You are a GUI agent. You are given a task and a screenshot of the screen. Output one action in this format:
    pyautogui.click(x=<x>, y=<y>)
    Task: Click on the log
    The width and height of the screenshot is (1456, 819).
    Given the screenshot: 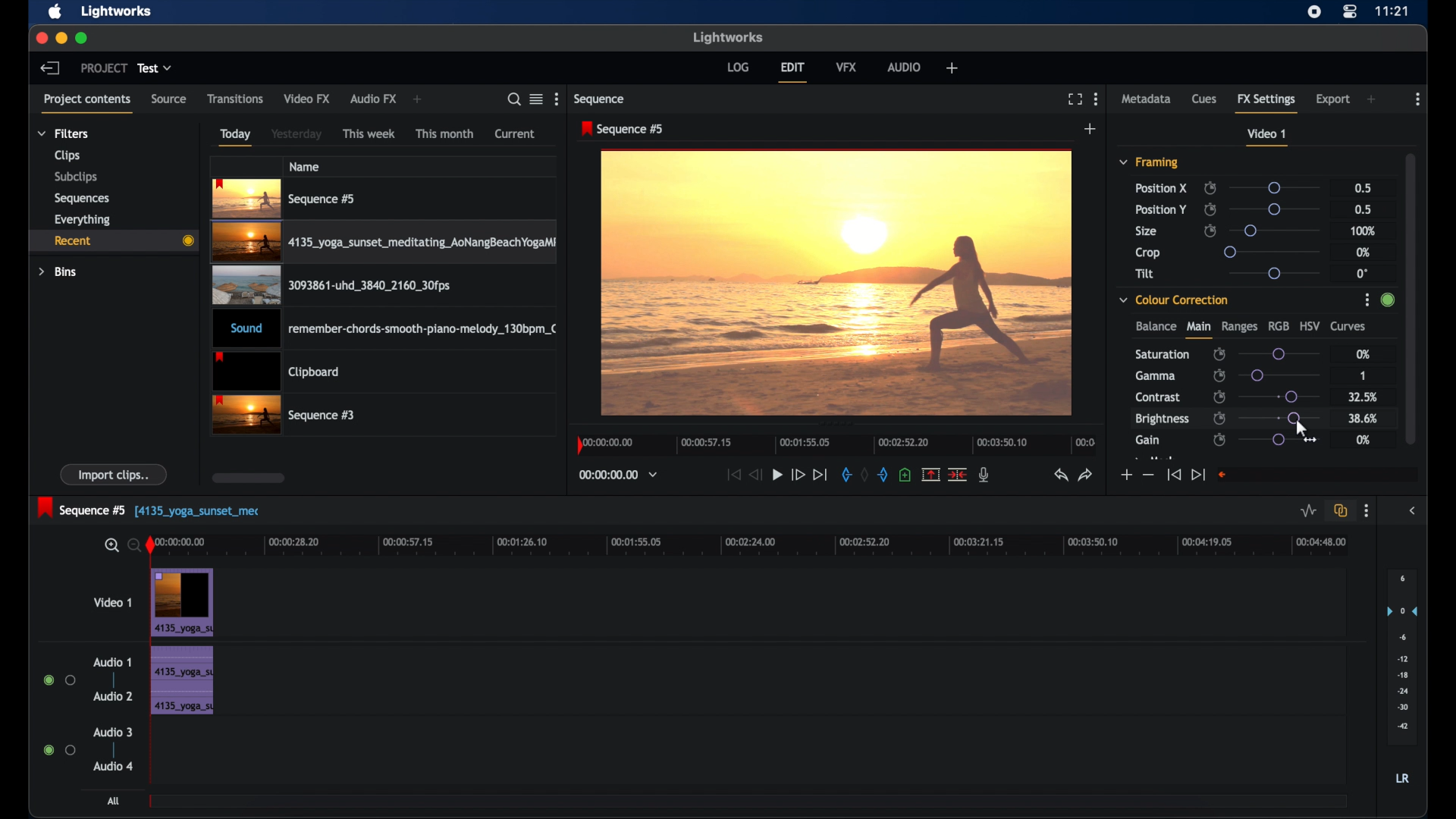 What is the action you would take?
    pyautogui.click(x=737, y=66)
    